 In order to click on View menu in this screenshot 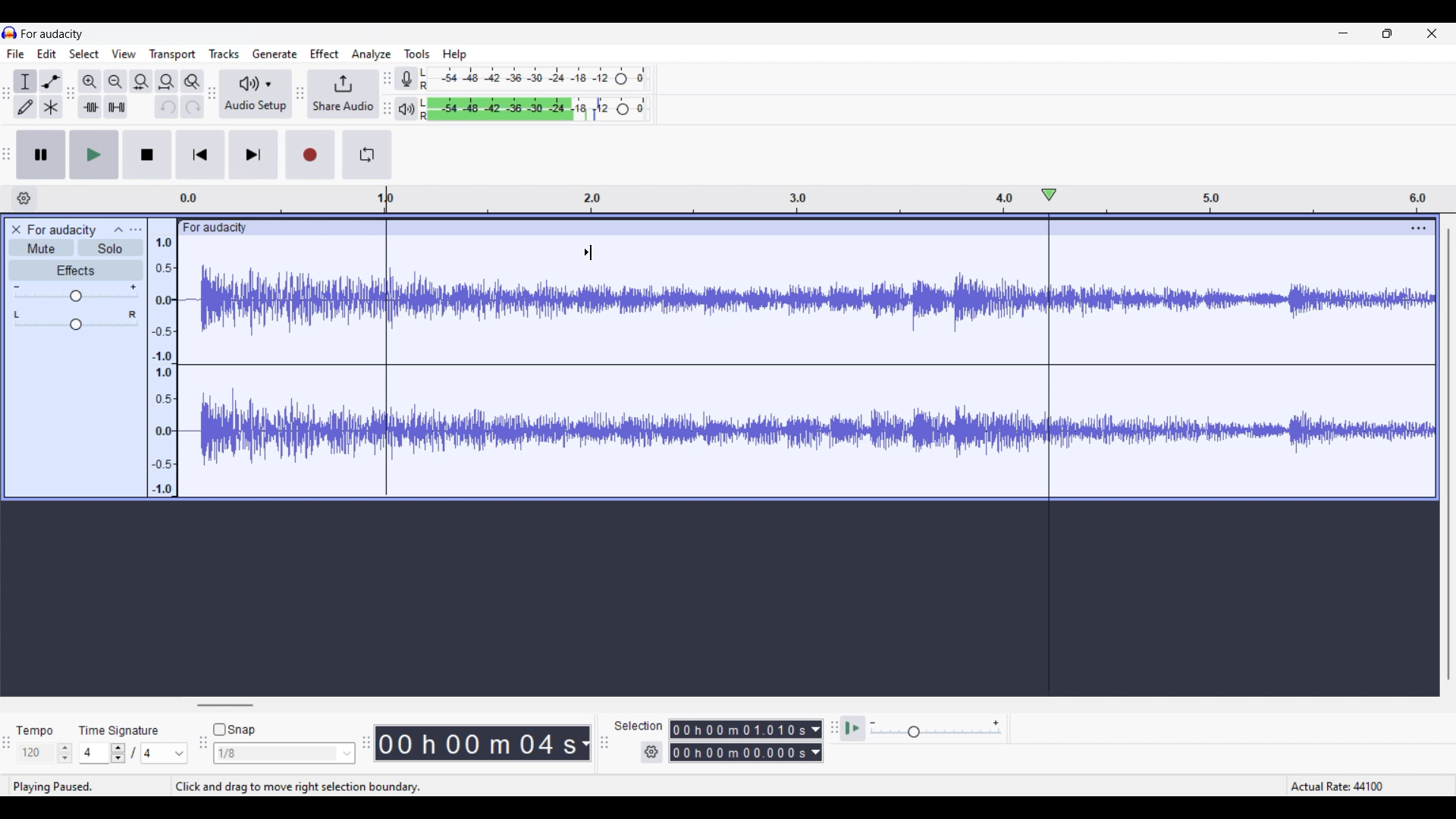, I will do `click(124, 53)`.